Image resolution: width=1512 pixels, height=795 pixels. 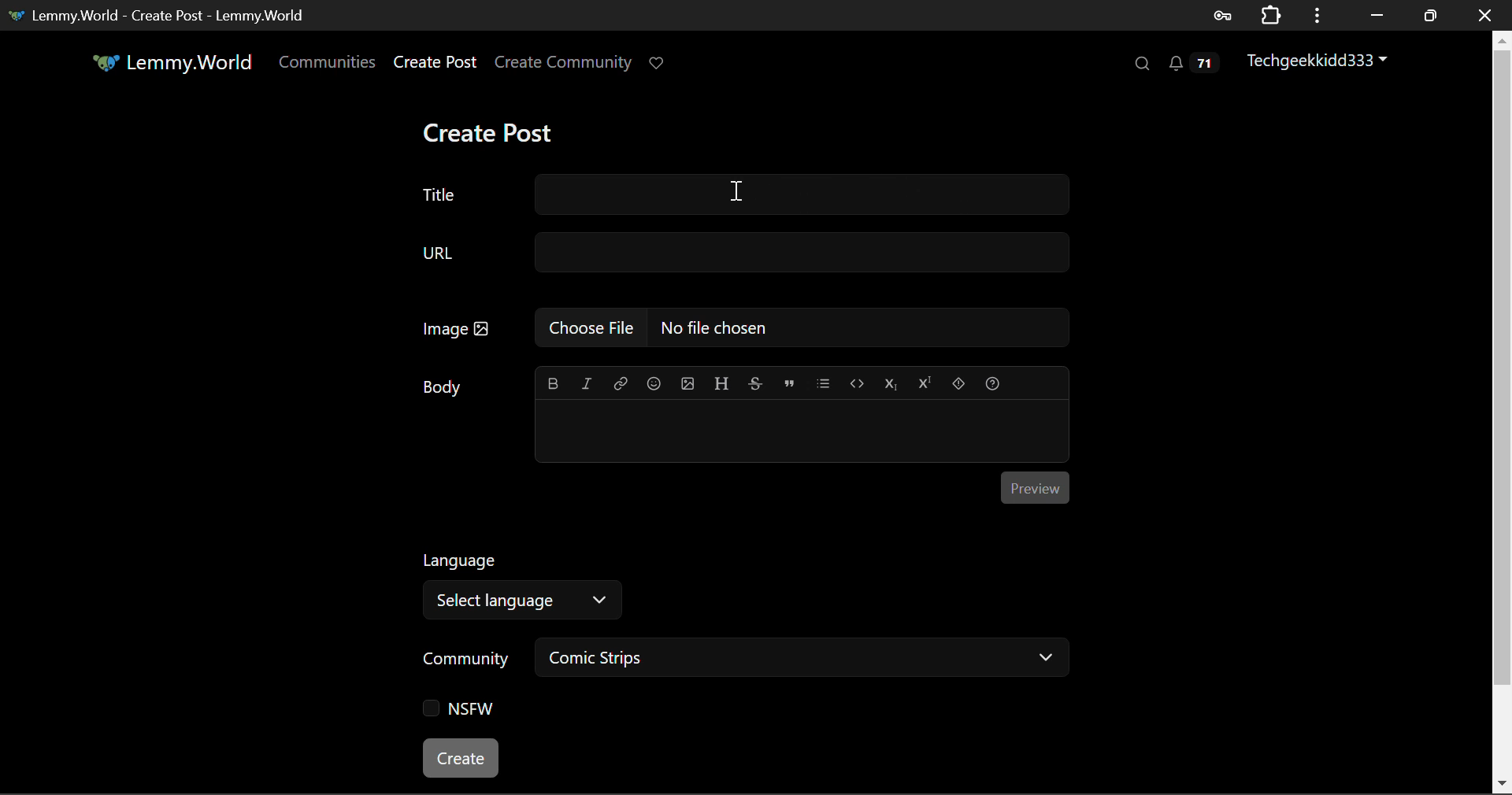 I want to click on Minimize Window, so click(x=1430, y=13).